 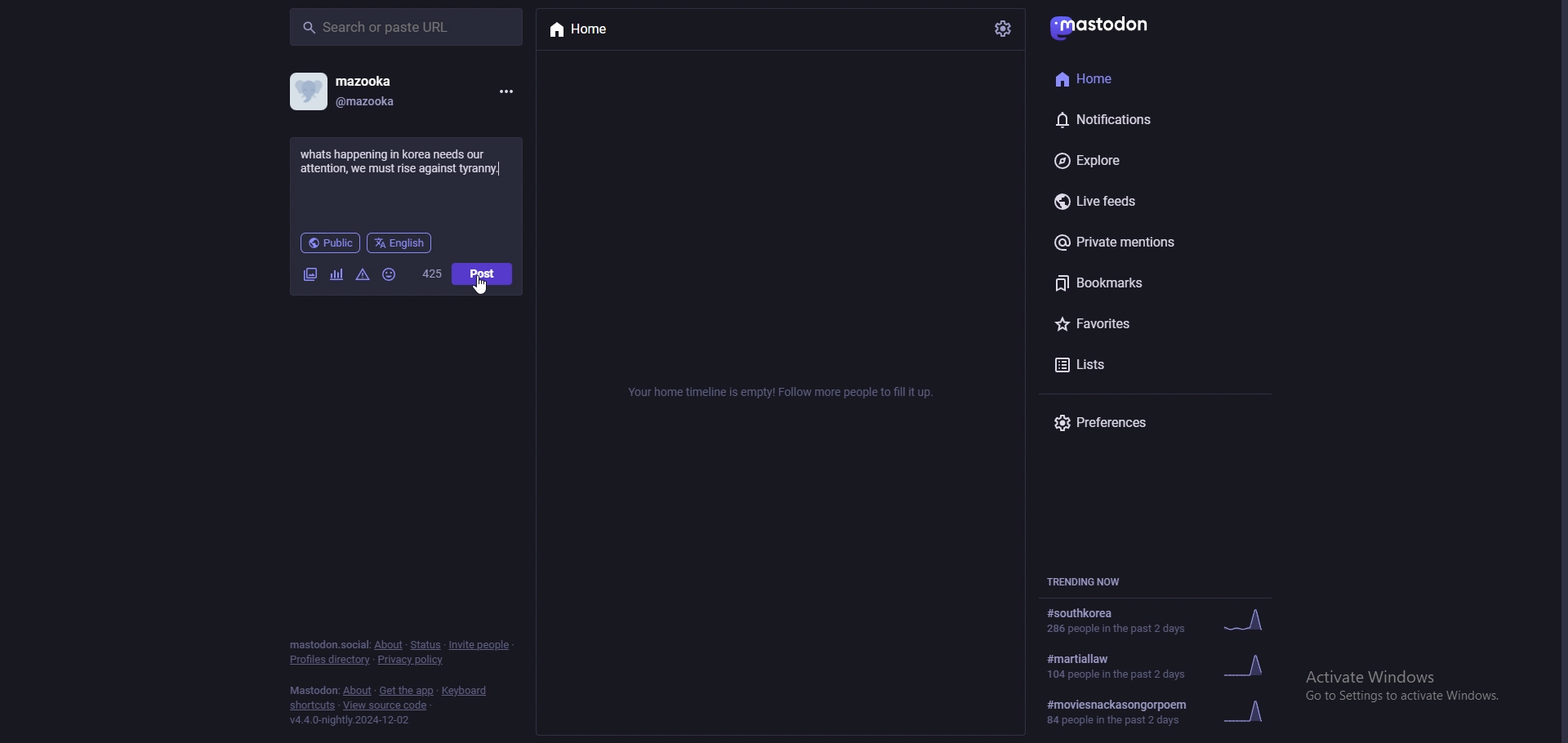 I want to click on home, so click(x=1125, y=77).